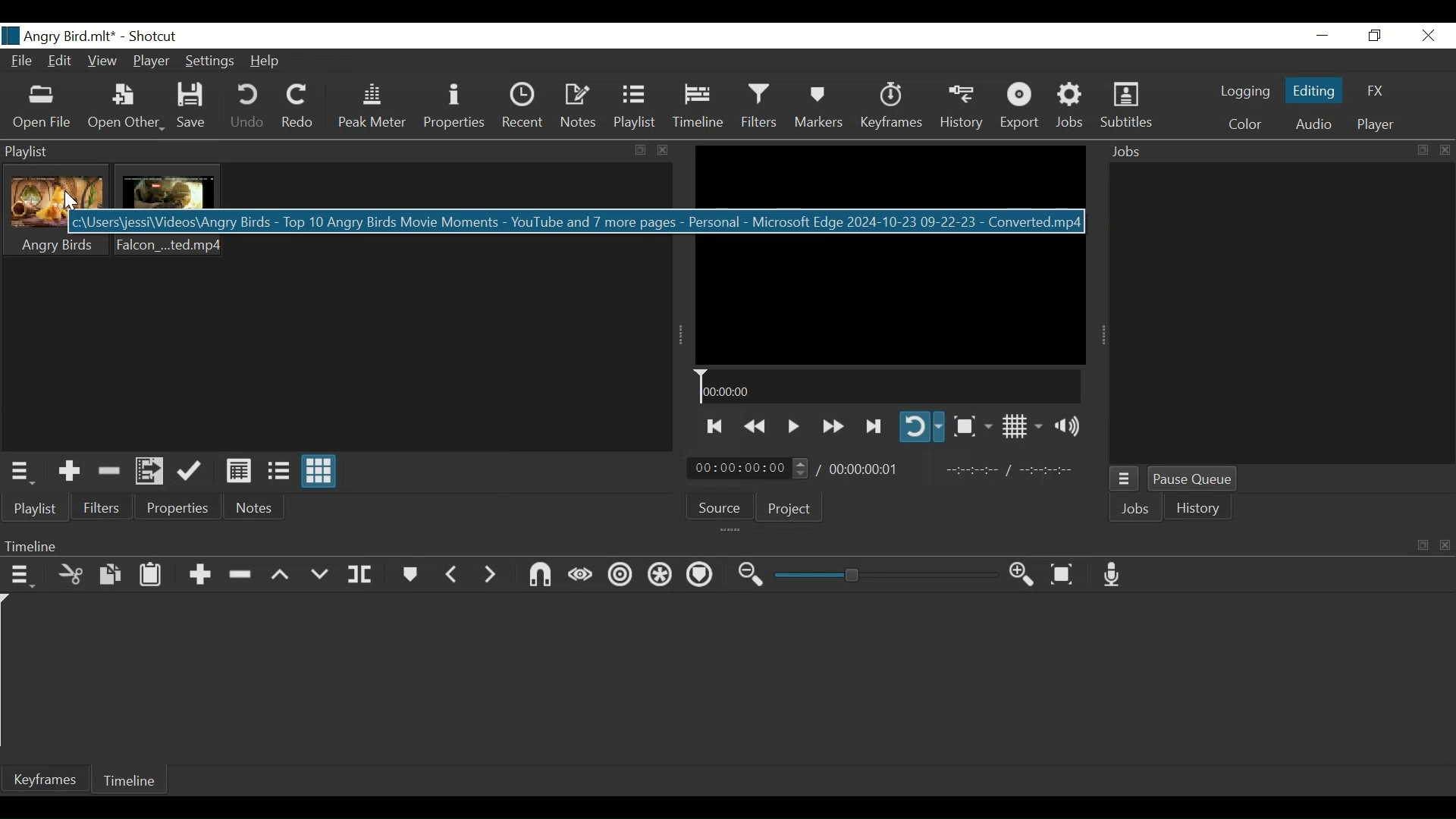 Image resolution: width=1456 pixels, height=819 pixels. What do you see at coordinates (883, 577) in the screenshot?
I see `Zoom slider` at bounding box center [883, 577].